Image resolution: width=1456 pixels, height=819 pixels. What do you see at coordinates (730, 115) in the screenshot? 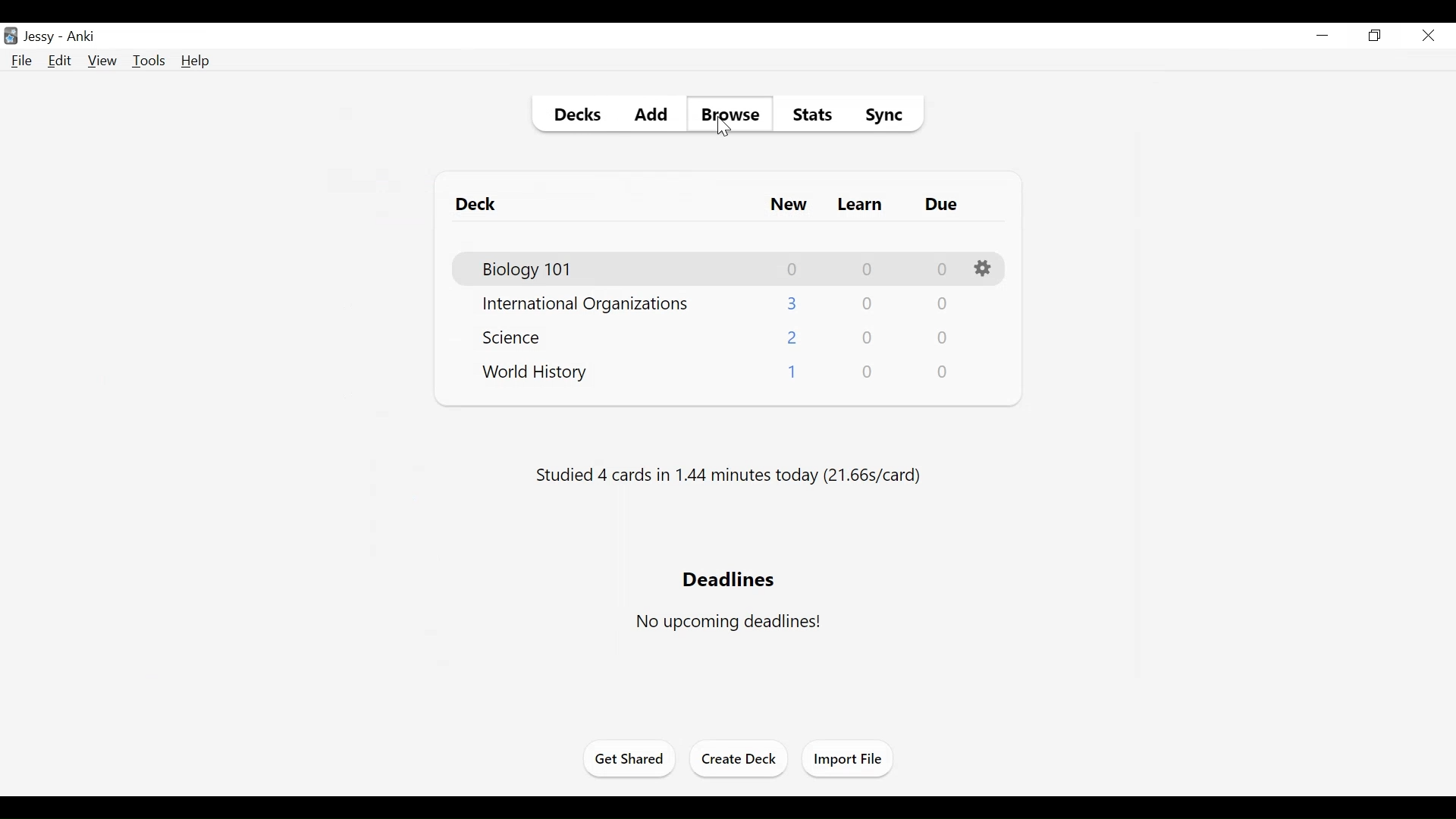
I see `Browse` at bounding box center [730, 115].